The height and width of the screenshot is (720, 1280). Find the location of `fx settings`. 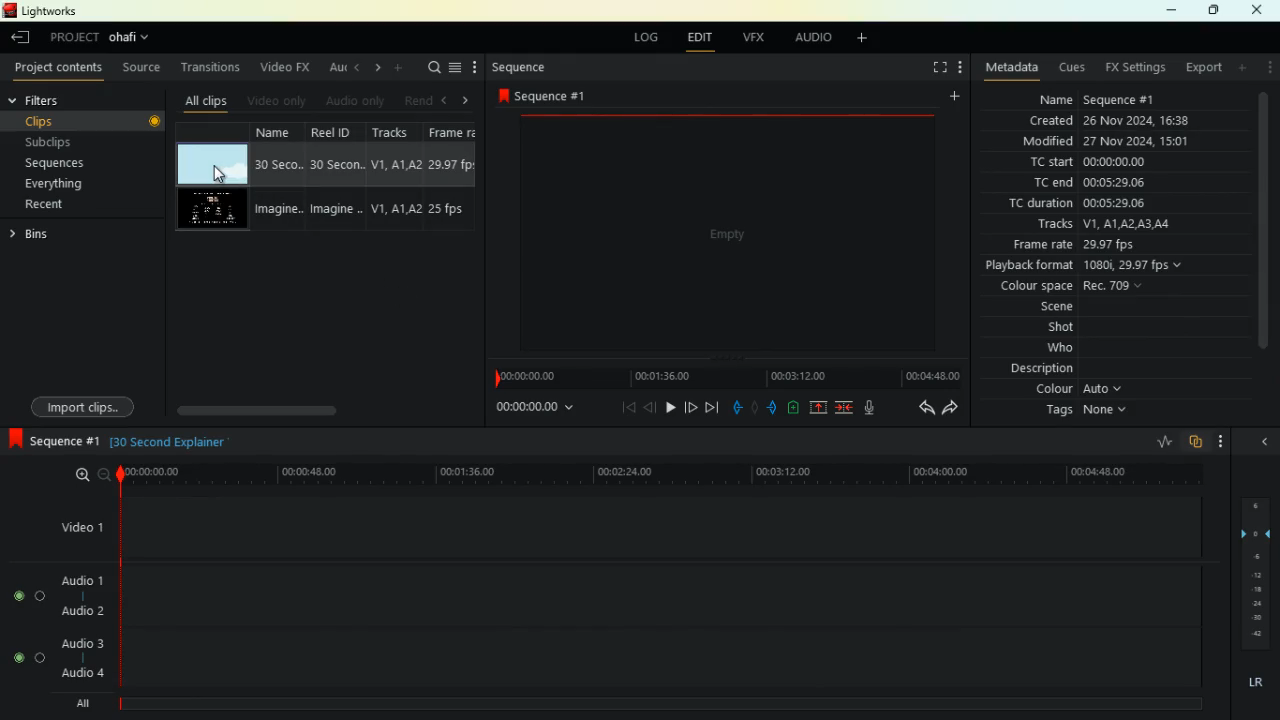

fx settings is located at coordinates (1131, 68).